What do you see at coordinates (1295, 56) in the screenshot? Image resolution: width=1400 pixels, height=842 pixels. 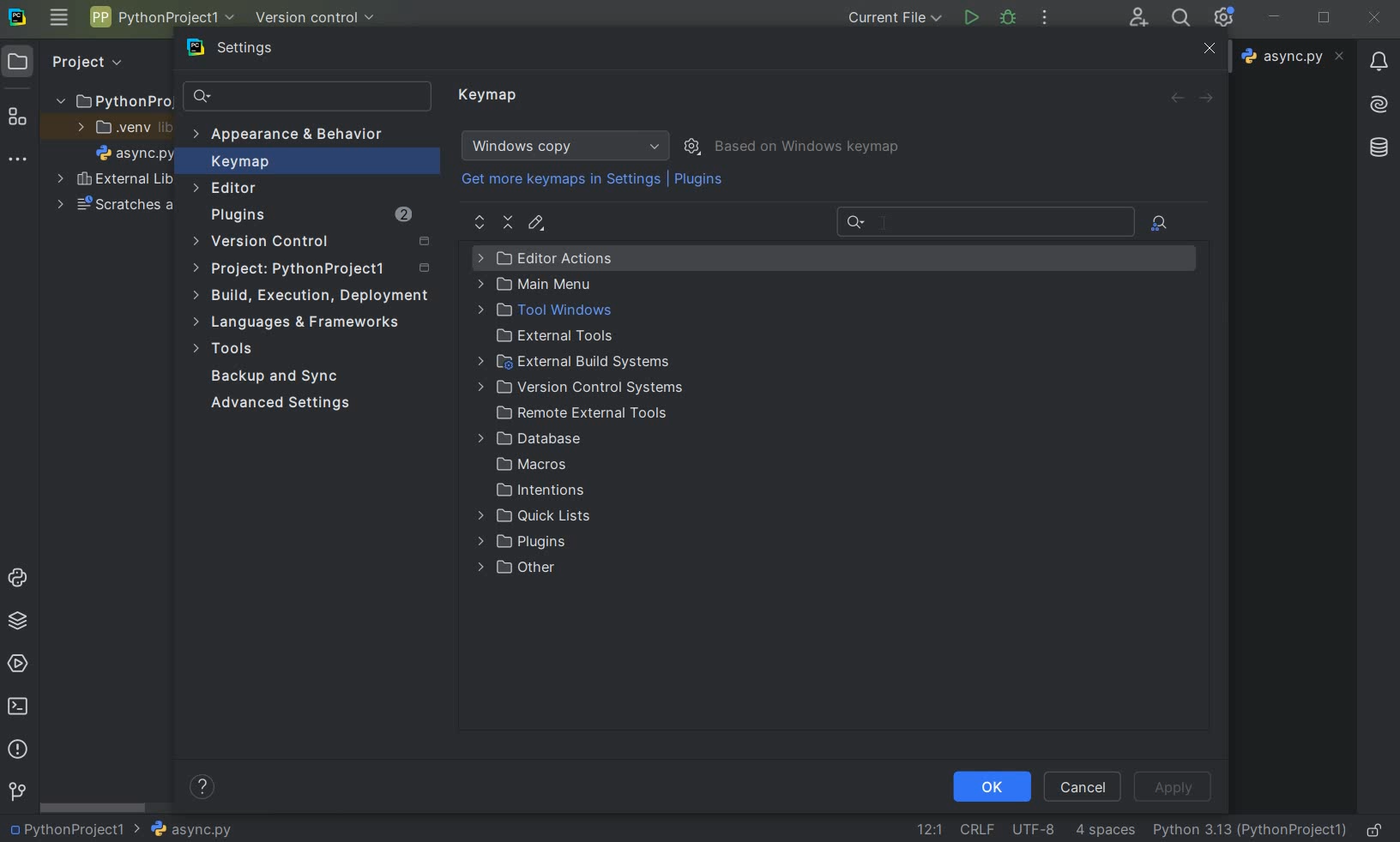 I see `file name` at bounding box center [1295, 56].